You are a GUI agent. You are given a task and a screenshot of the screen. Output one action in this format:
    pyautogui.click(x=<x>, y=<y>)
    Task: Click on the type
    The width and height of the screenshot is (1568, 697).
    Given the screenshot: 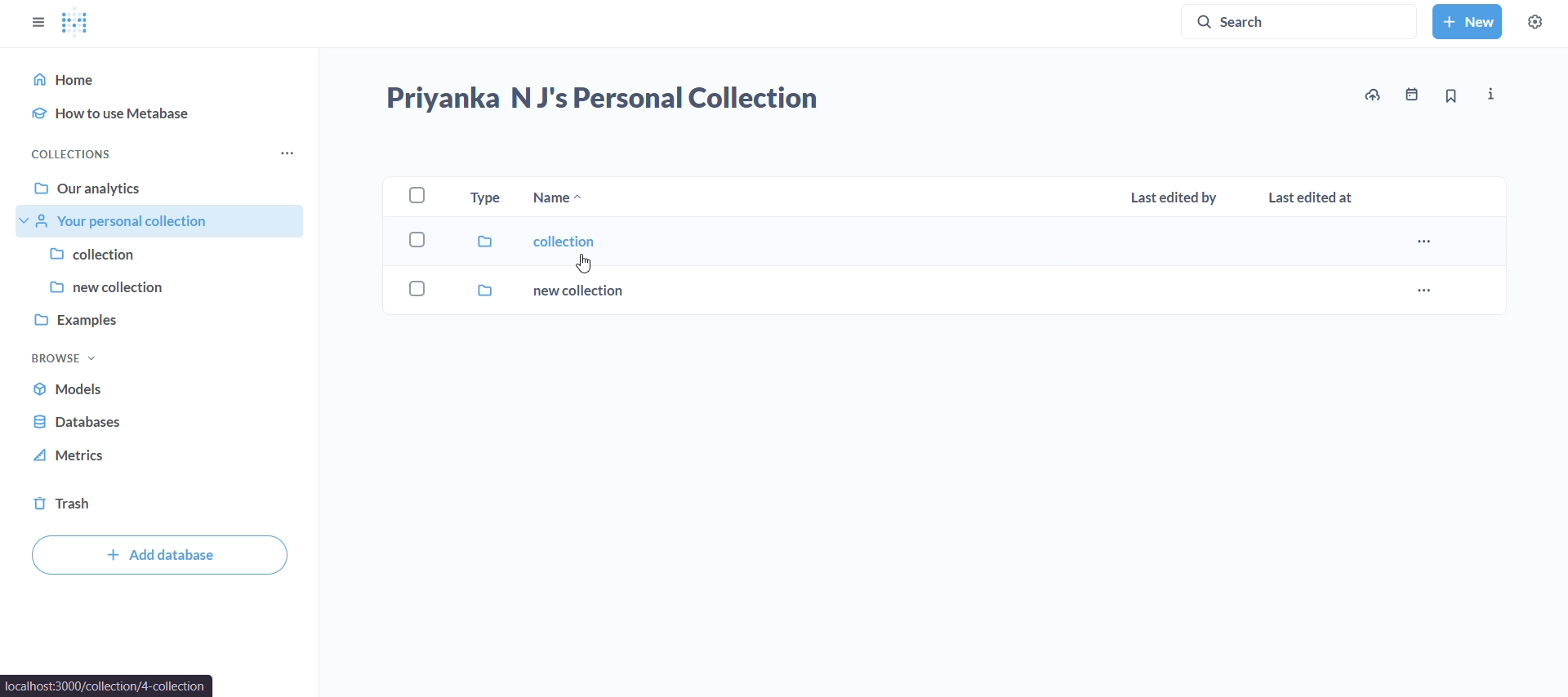 What is the action you would take?
    pyautogui.click(x=482, y=198)
    